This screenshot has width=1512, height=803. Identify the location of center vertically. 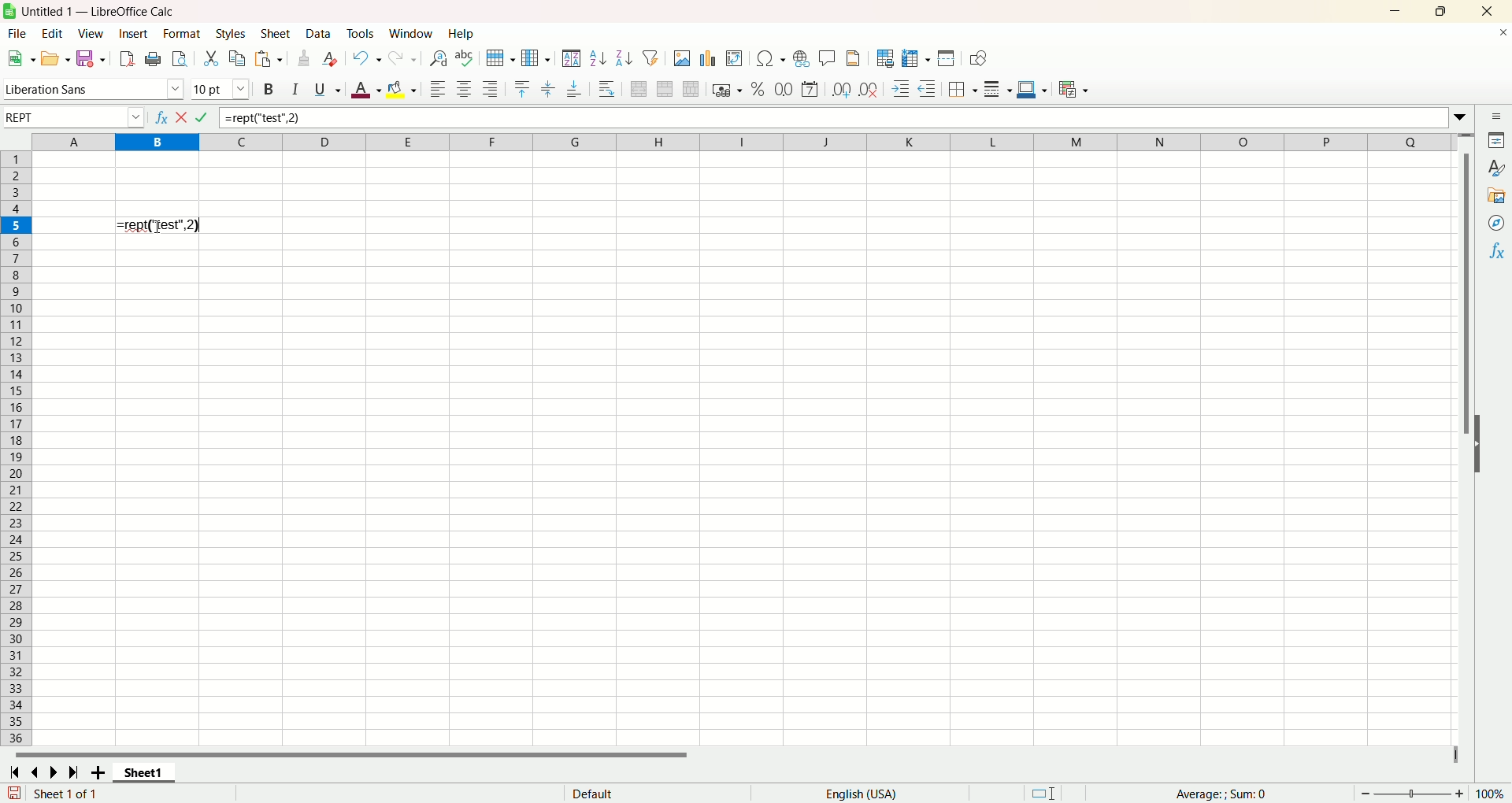
(550, 87).